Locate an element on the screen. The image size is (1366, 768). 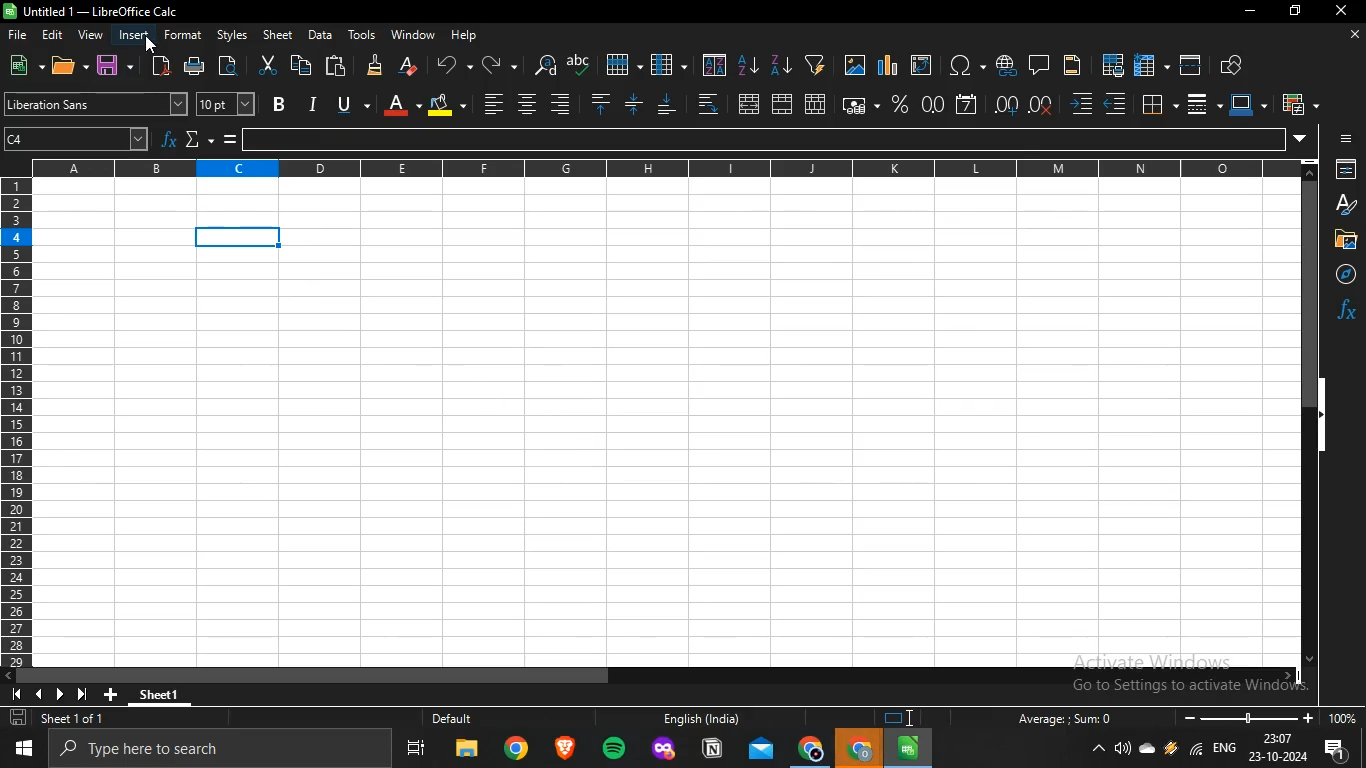
notion is located at coordinates (712, 750).